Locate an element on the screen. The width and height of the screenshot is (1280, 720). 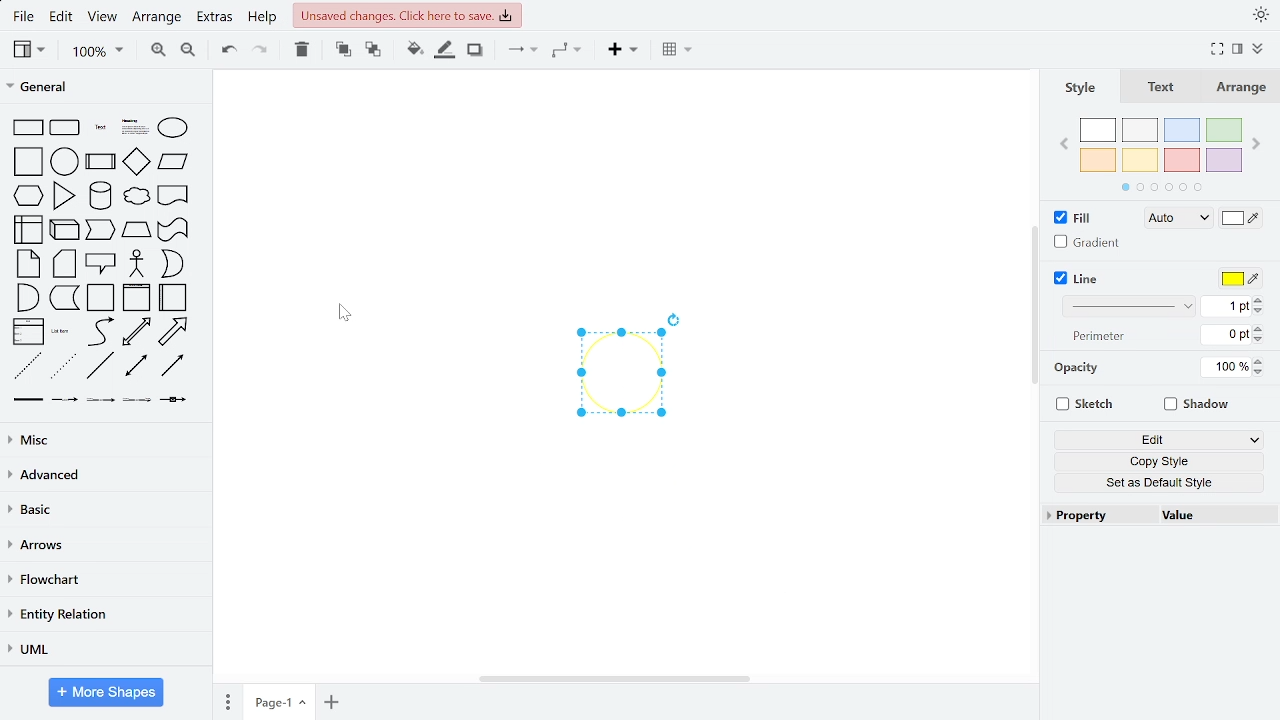
basic is located at coordinates (103, 509).